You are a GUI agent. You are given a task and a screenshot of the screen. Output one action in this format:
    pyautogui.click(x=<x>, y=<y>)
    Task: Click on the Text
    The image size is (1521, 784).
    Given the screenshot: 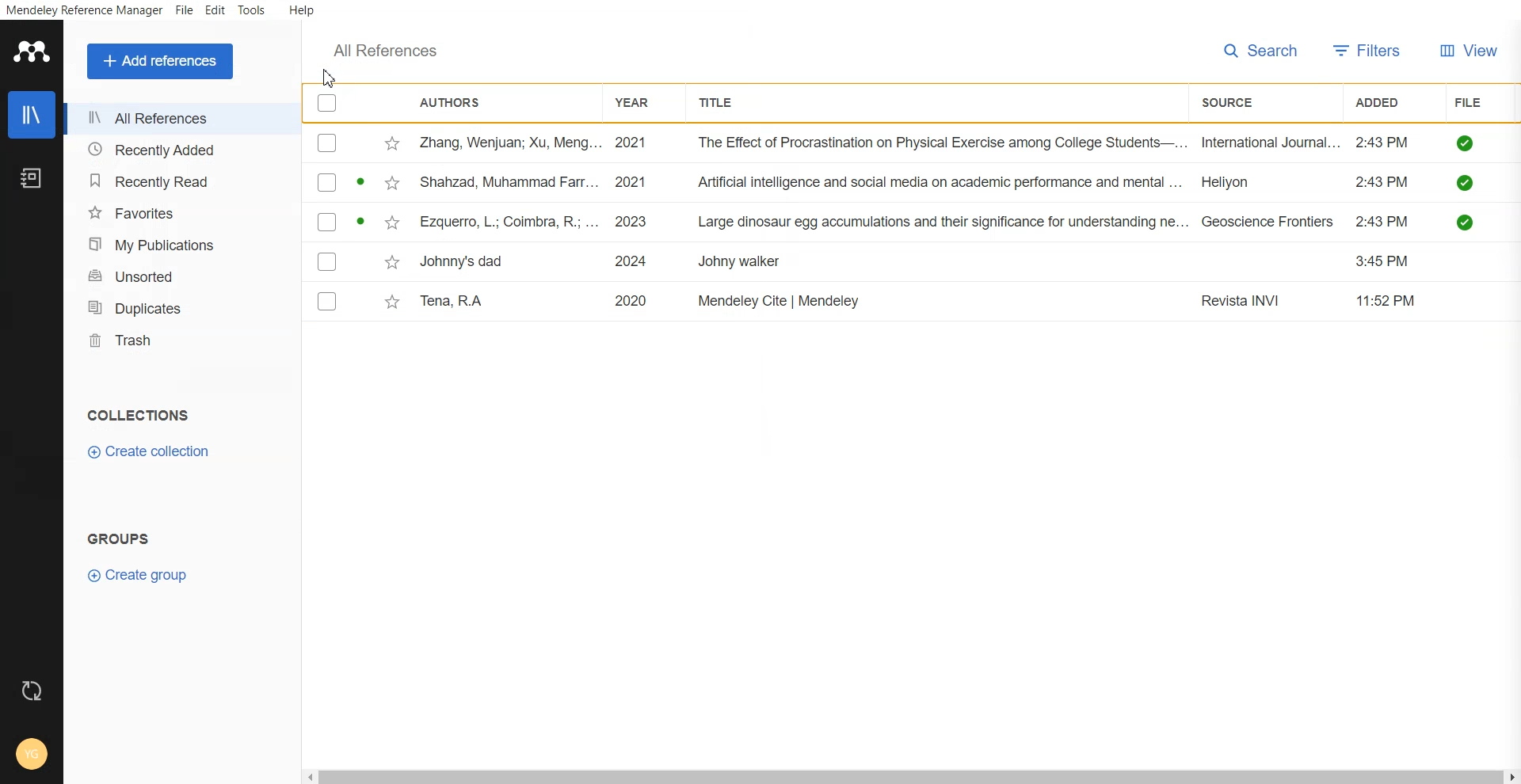 What is the action you would take?
    pyautogui.click(x=389, y=50)
    